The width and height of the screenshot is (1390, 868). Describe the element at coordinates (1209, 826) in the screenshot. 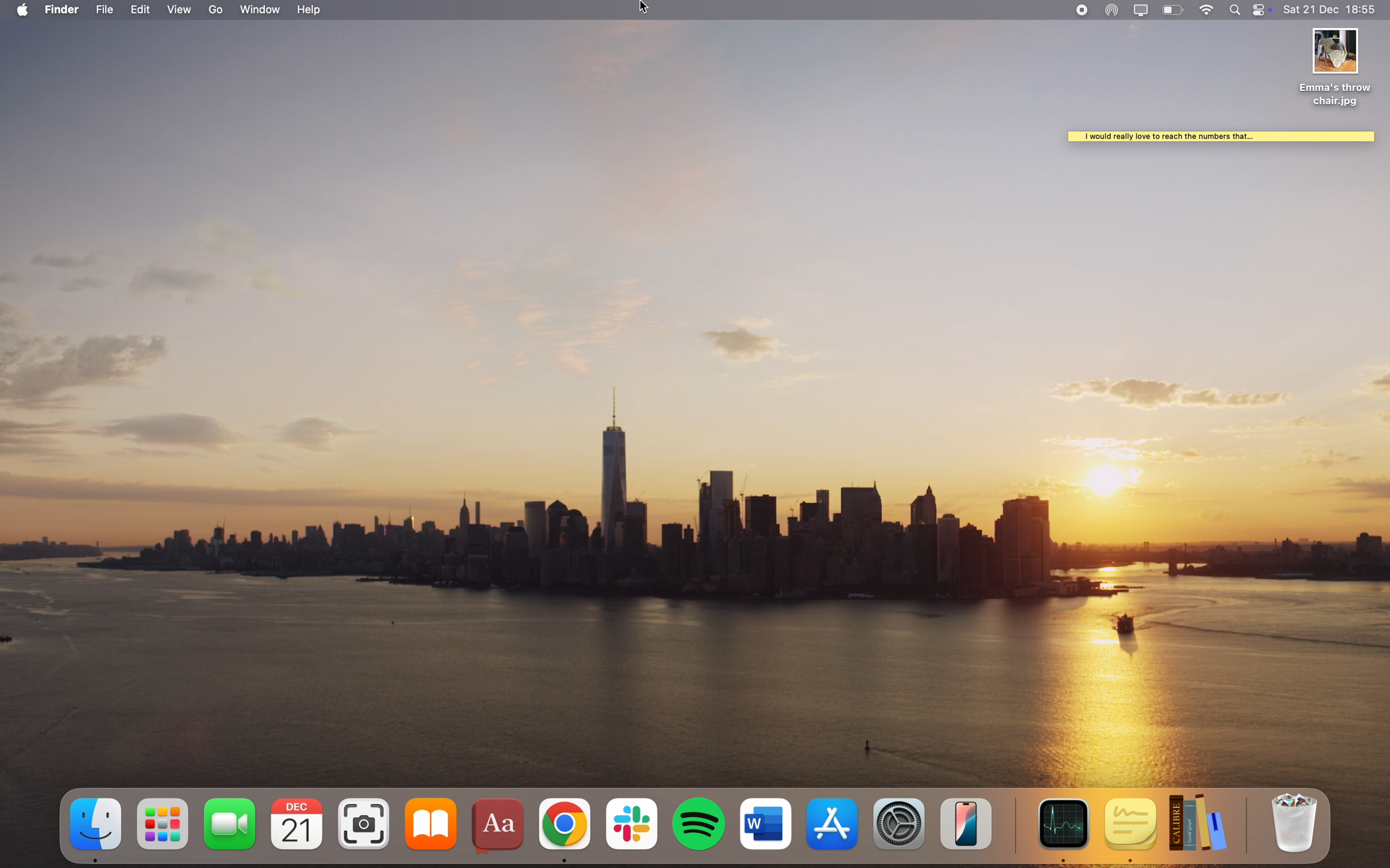

I see `Calibre` at that location.